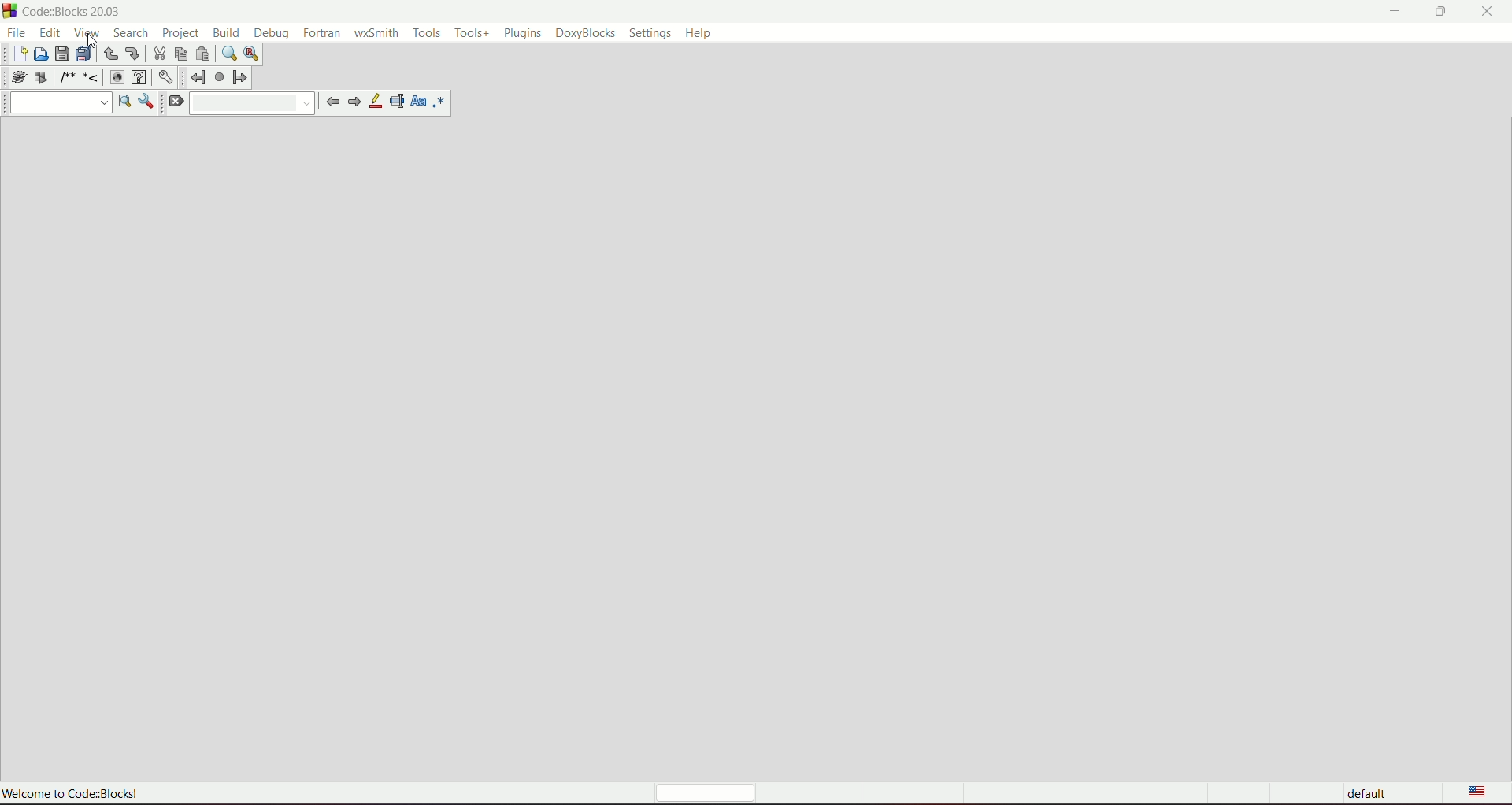 The image size is (1512, 805). I want to click on edit, so click(50, 32).